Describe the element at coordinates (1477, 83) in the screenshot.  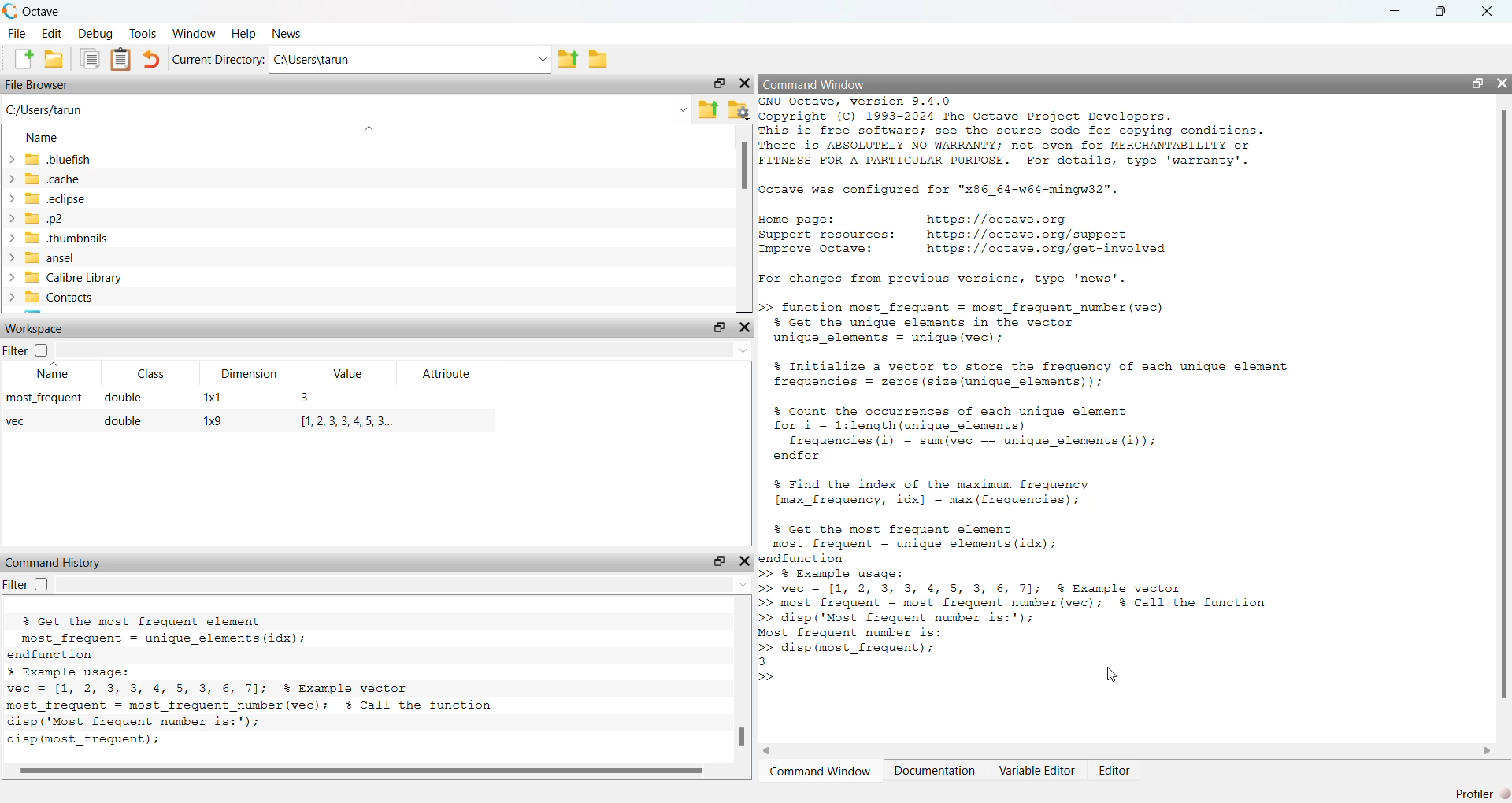
I see `Undock Widget` at that location.